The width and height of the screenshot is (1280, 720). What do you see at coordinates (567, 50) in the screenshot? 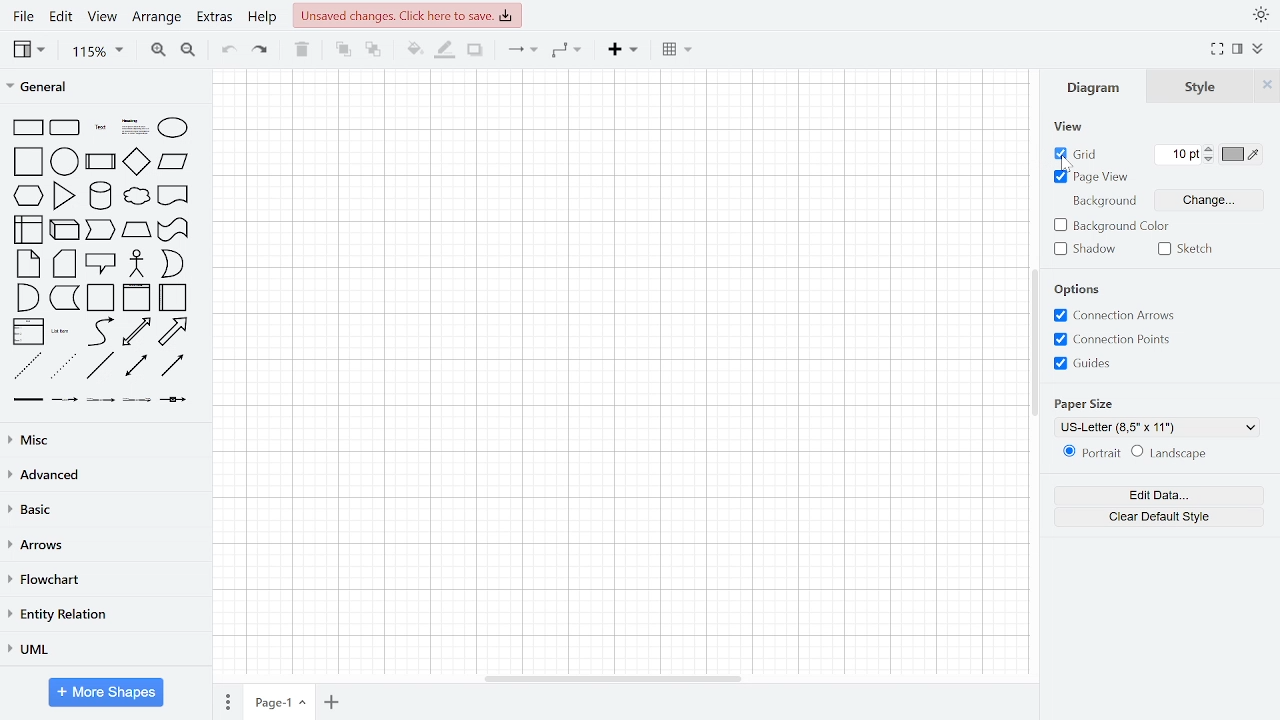
I see `waypoints` at bounding box center [567, 50].